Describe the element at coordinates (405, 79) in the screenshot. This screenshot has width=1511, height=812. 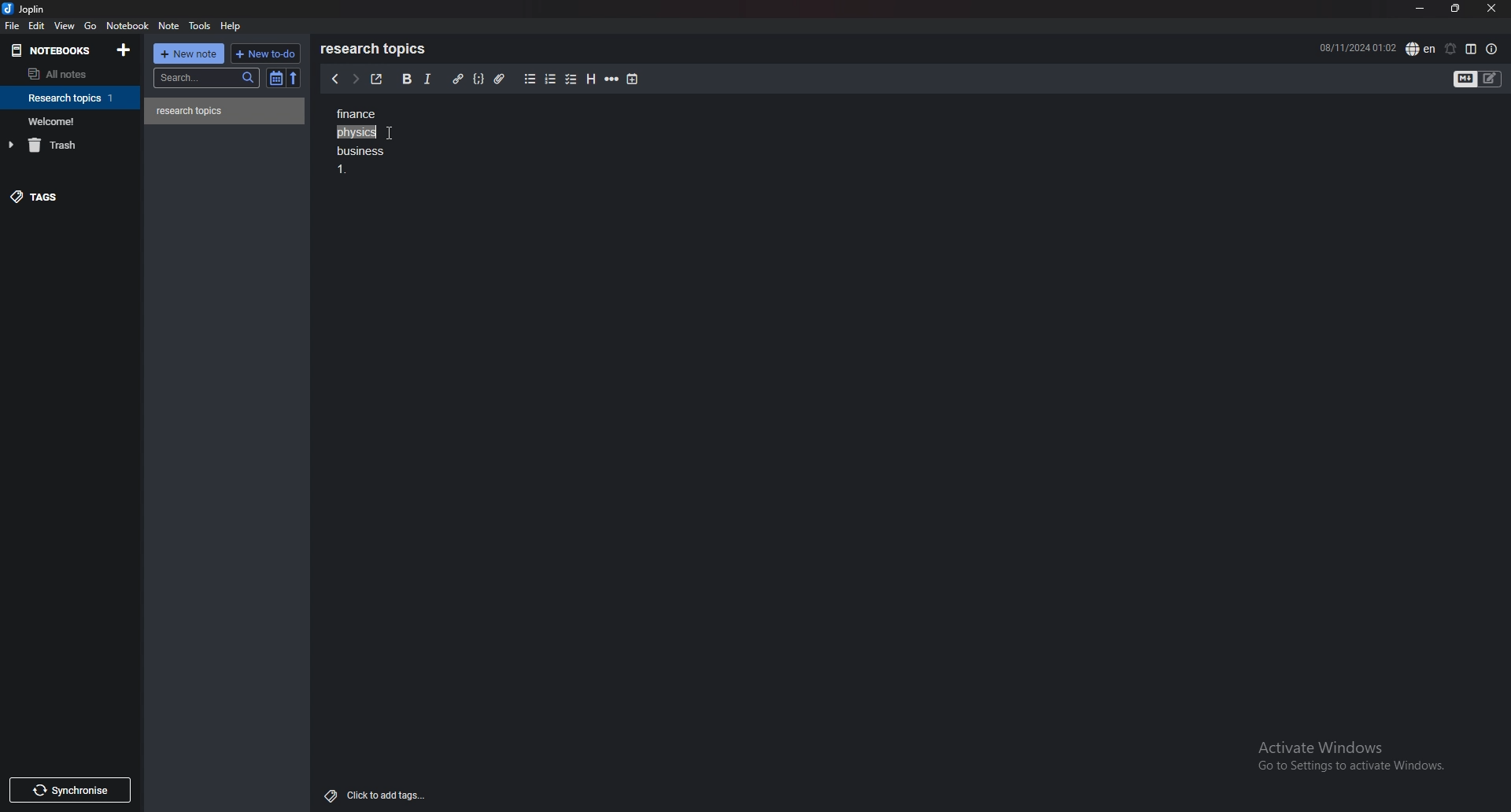
I see `bold` at that location.